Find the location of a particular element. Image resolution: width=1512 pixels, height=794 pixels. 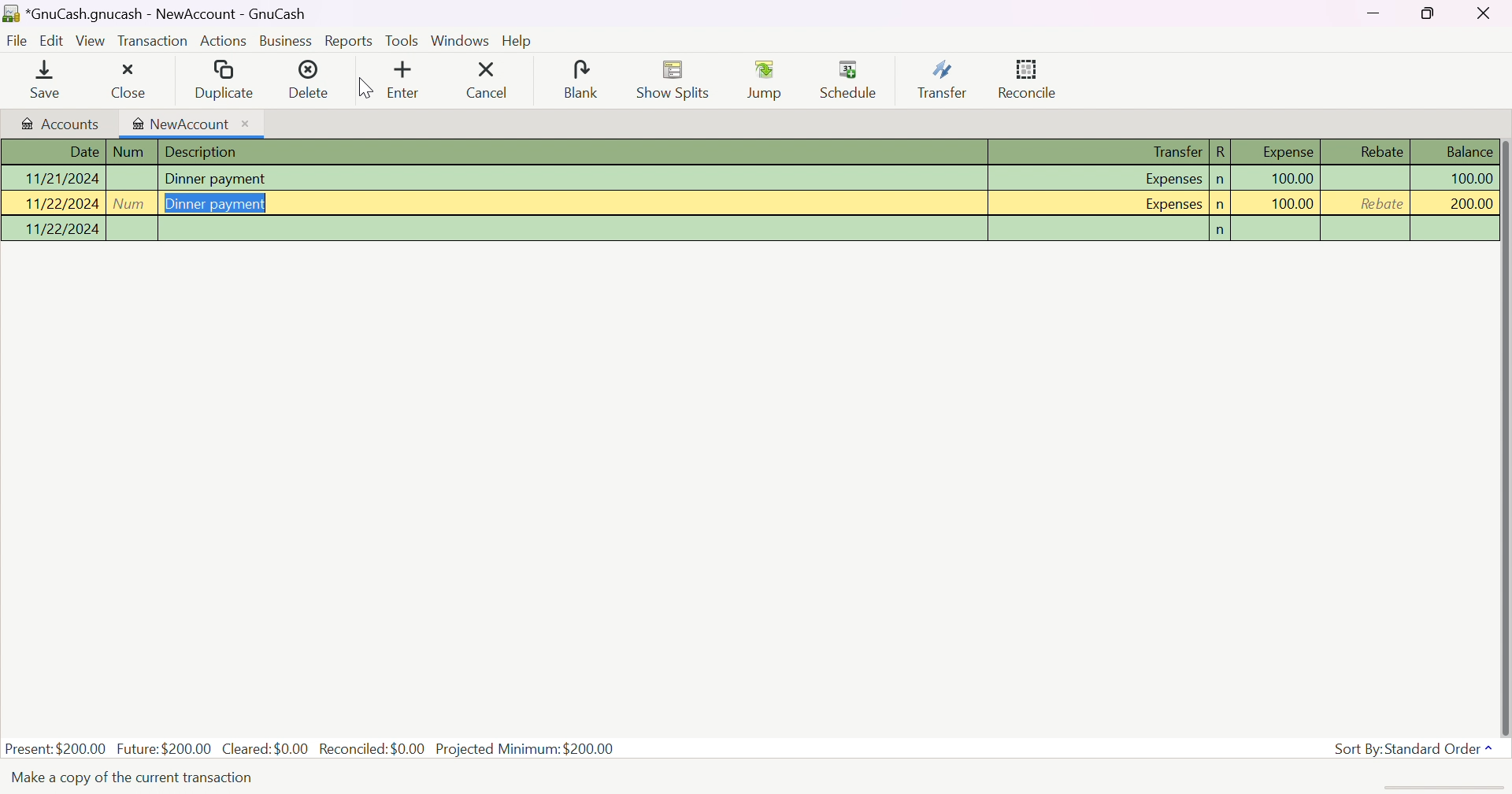

Jump is located at coordinates (767, 80).